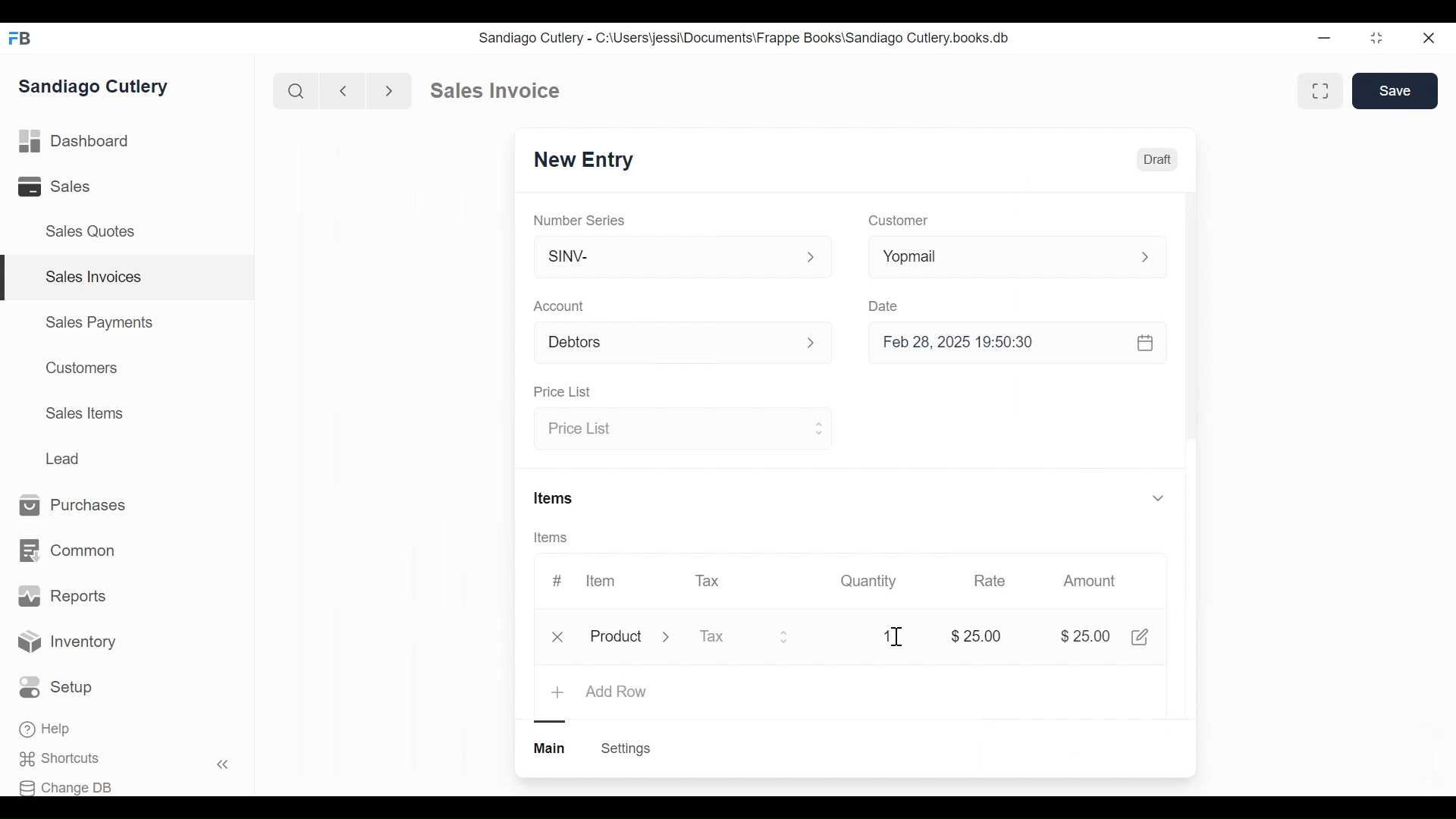 Image resolution: width=1456 pixels, height=819 pixels. Describe the element at coordinates (896, 221) in the screenshot. I see `Customer` at that location.